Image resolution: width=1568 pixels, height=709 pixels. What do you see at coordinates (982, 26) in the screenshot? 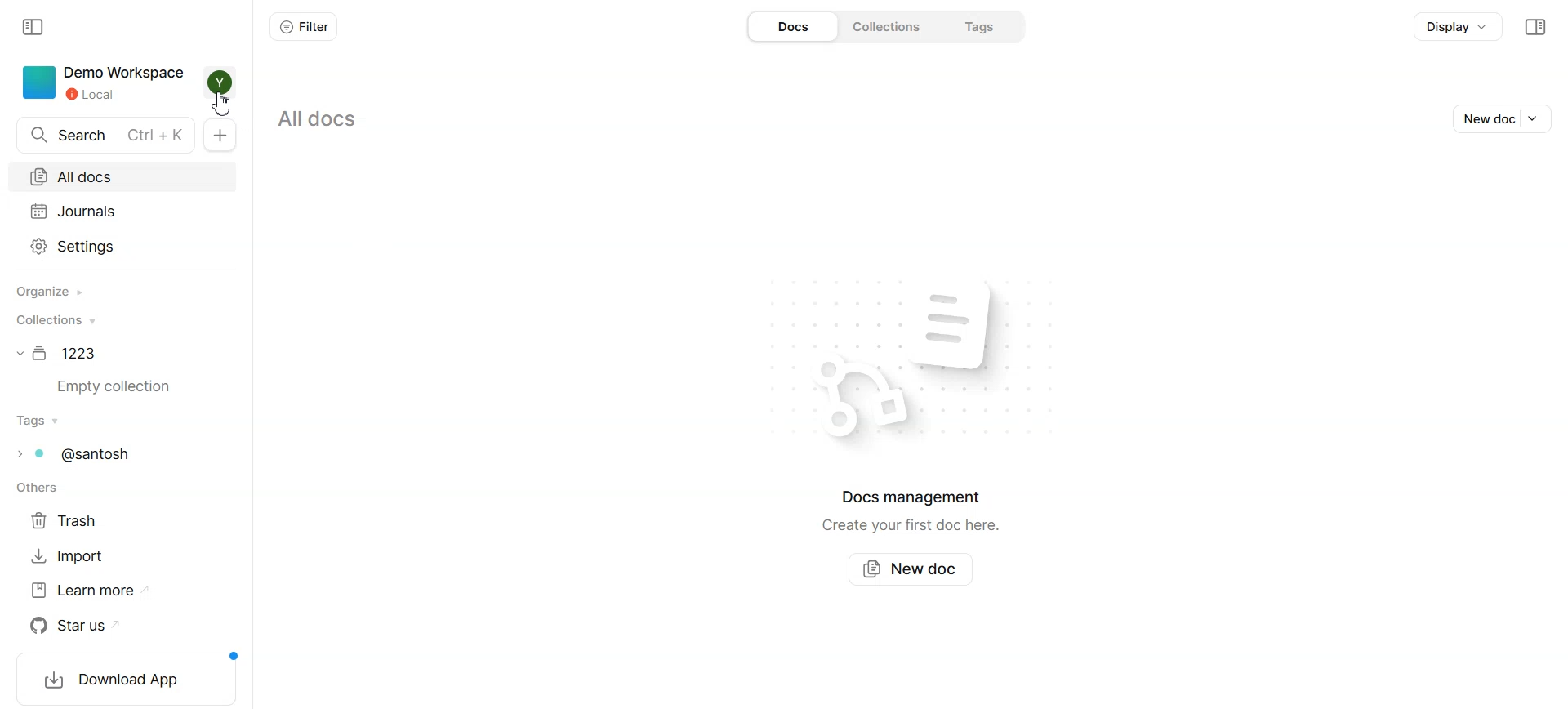
I see `Tags` at bounding box center [982, 26].